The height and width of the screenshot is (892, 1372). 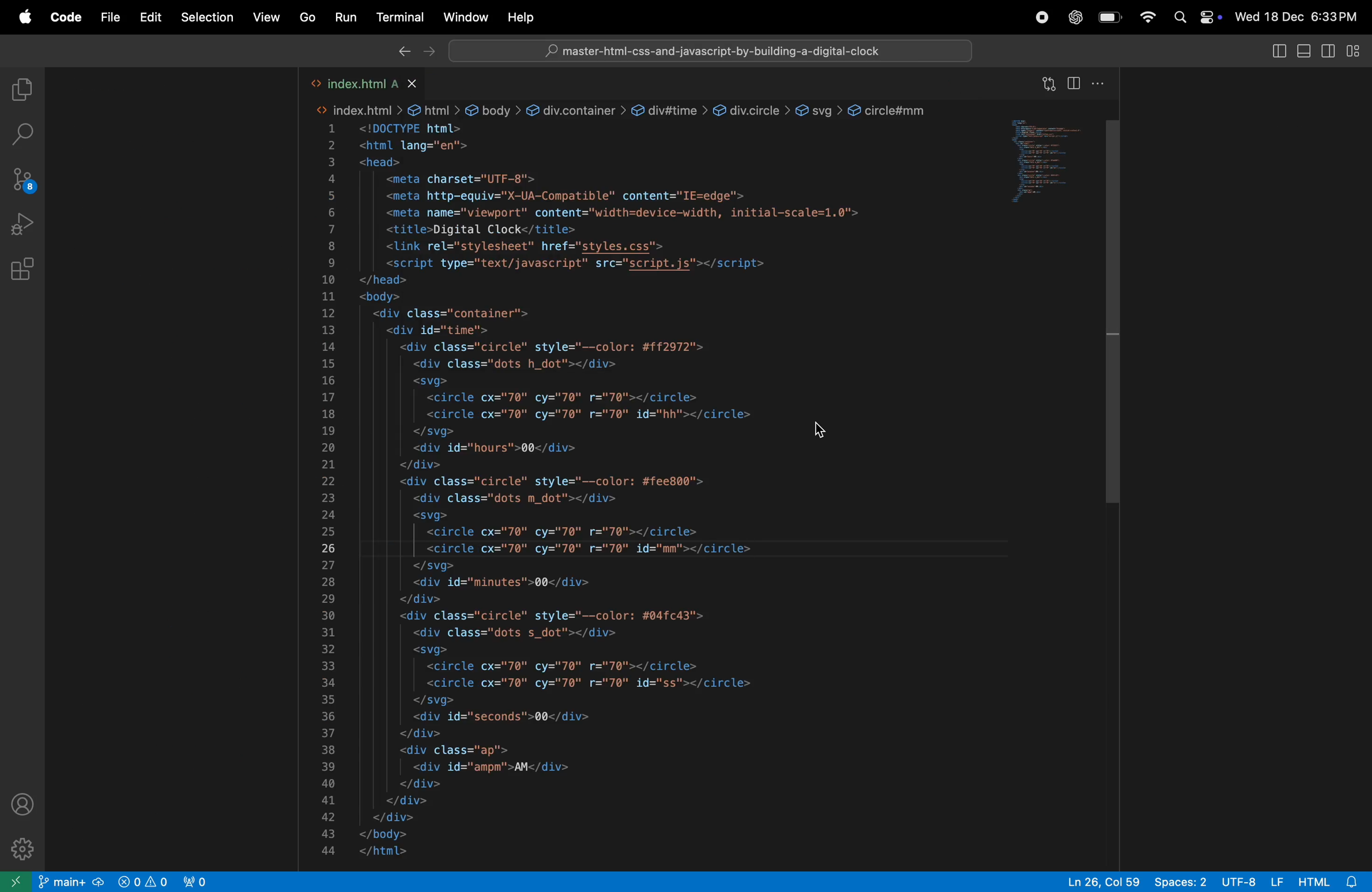 I want to click on settings, so click(x=23, y=849).